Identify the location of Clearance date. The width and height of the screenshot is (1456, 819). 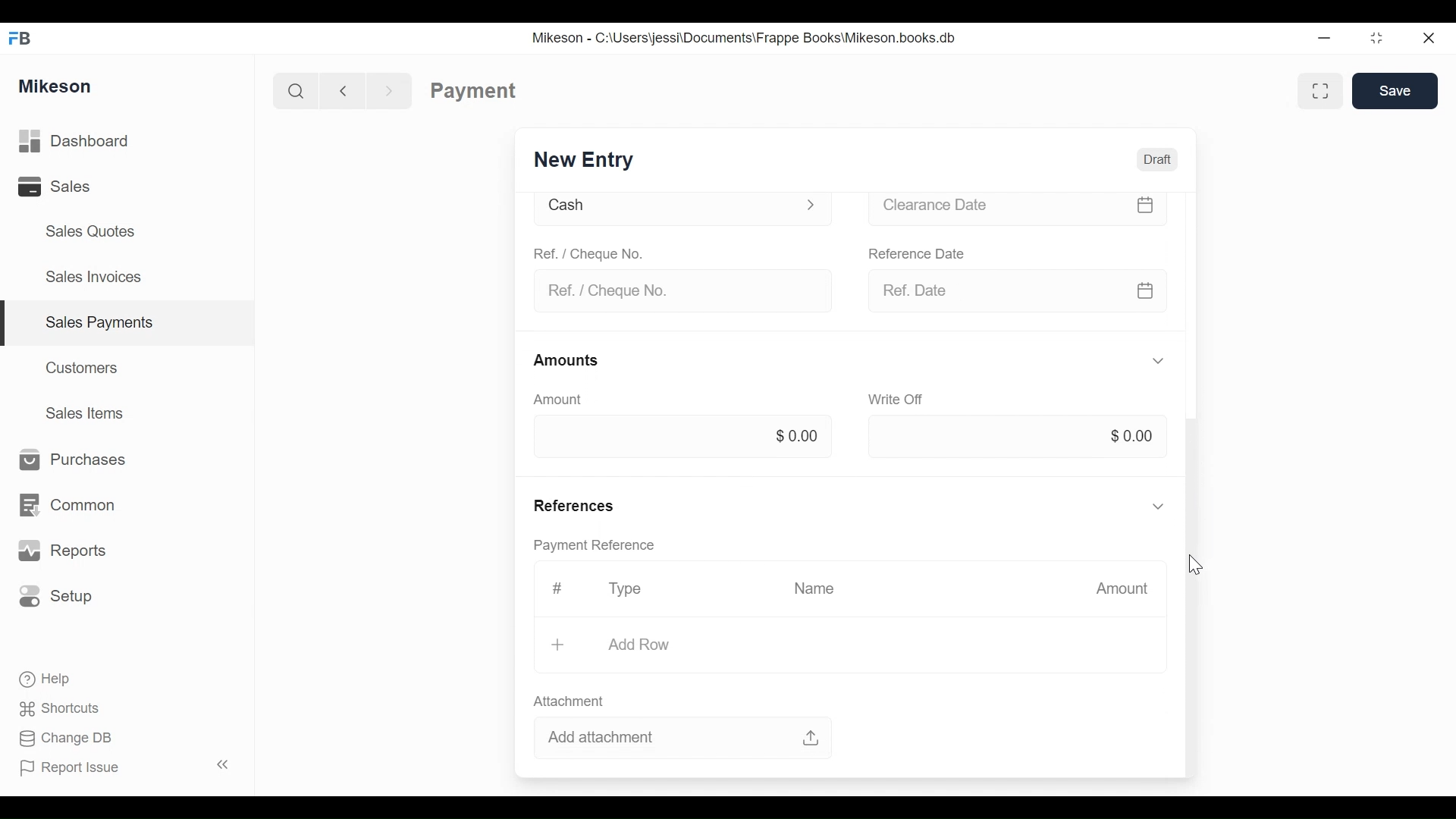
(1015, 209).